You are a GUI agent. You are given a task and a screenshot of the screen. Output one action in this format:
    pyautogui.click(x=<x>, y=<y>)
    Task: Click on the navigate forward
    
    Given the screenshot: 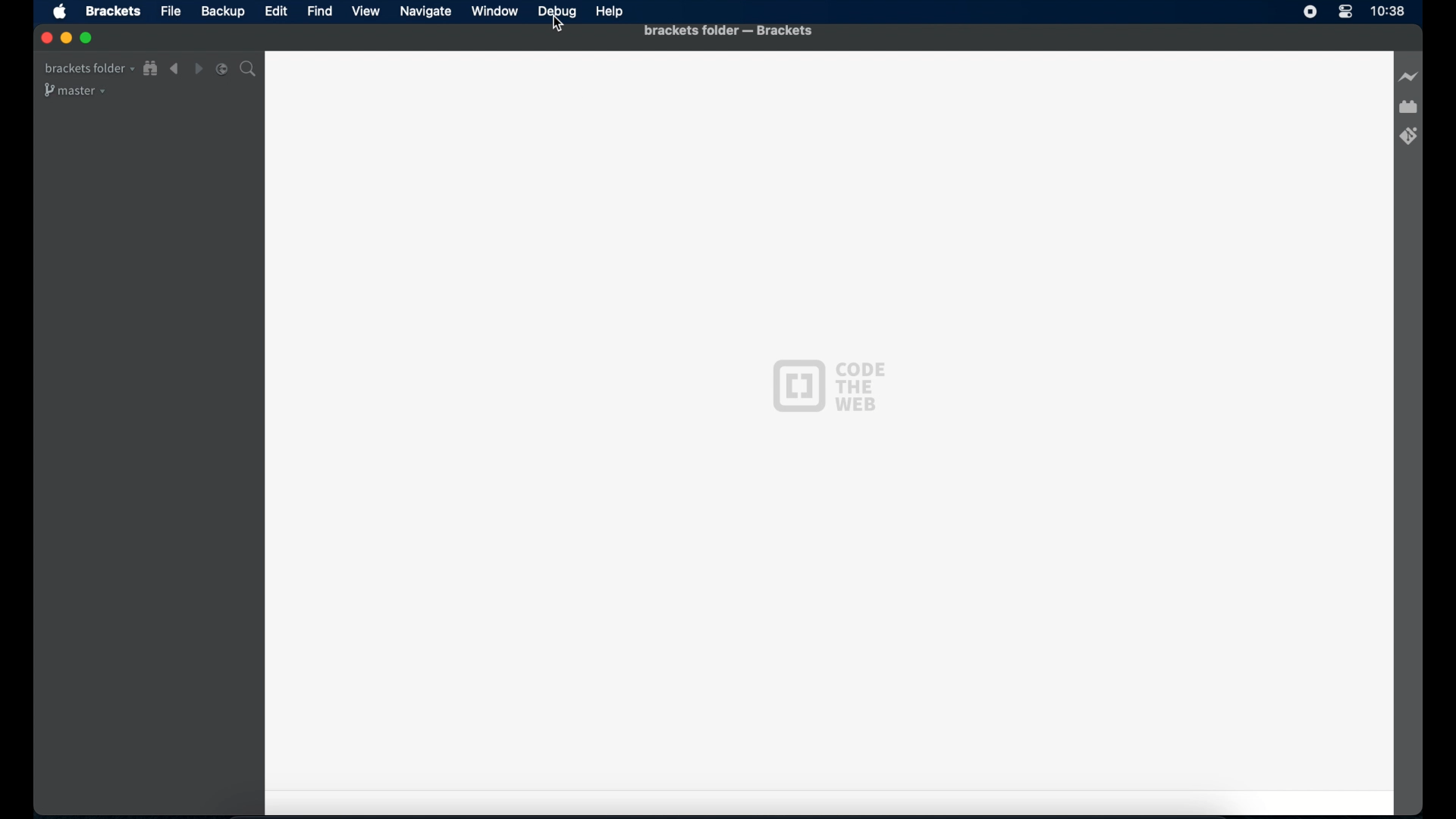 What is the action you would take?
    pyautogui.click(x=198, y=69)
    